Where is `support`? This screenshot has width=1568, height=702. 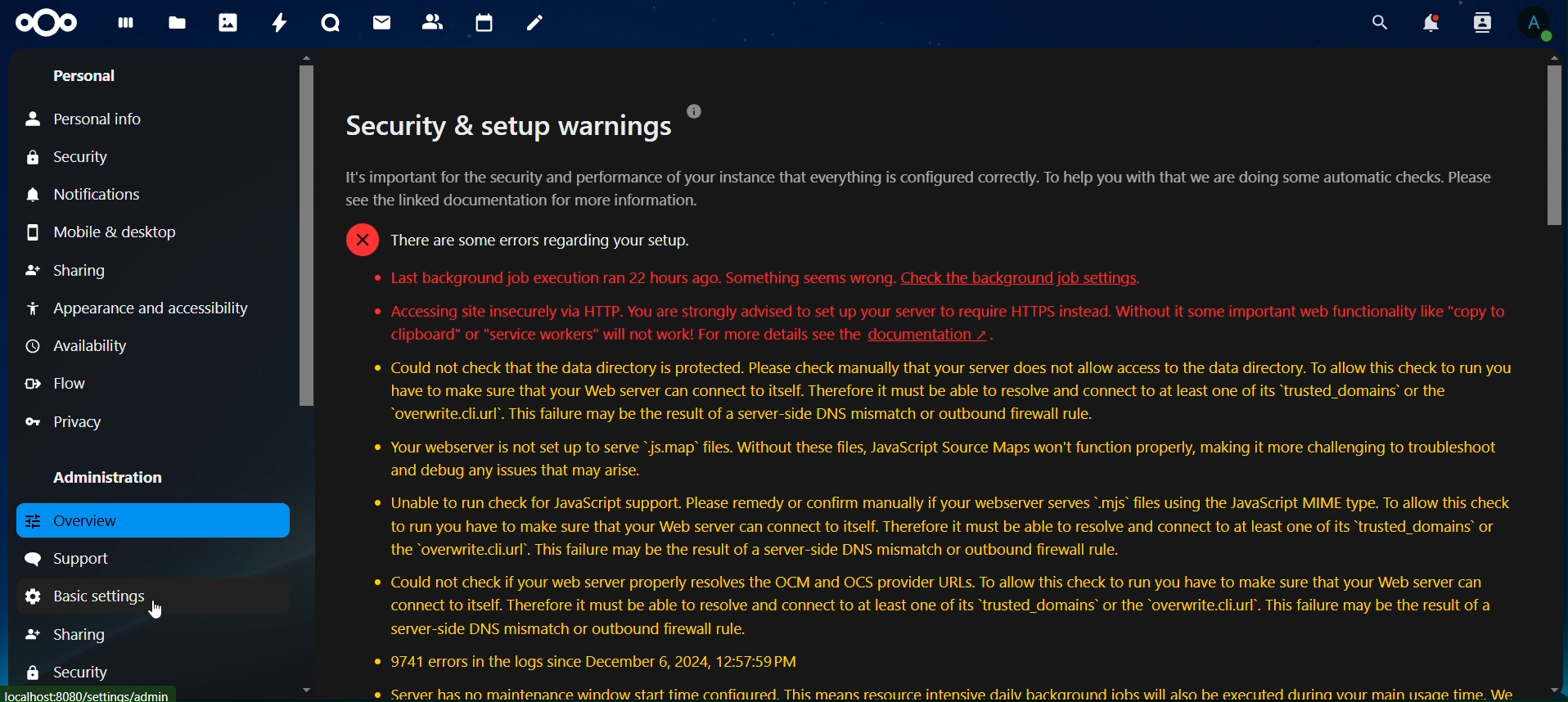
support is located at coordinates (74, 559).